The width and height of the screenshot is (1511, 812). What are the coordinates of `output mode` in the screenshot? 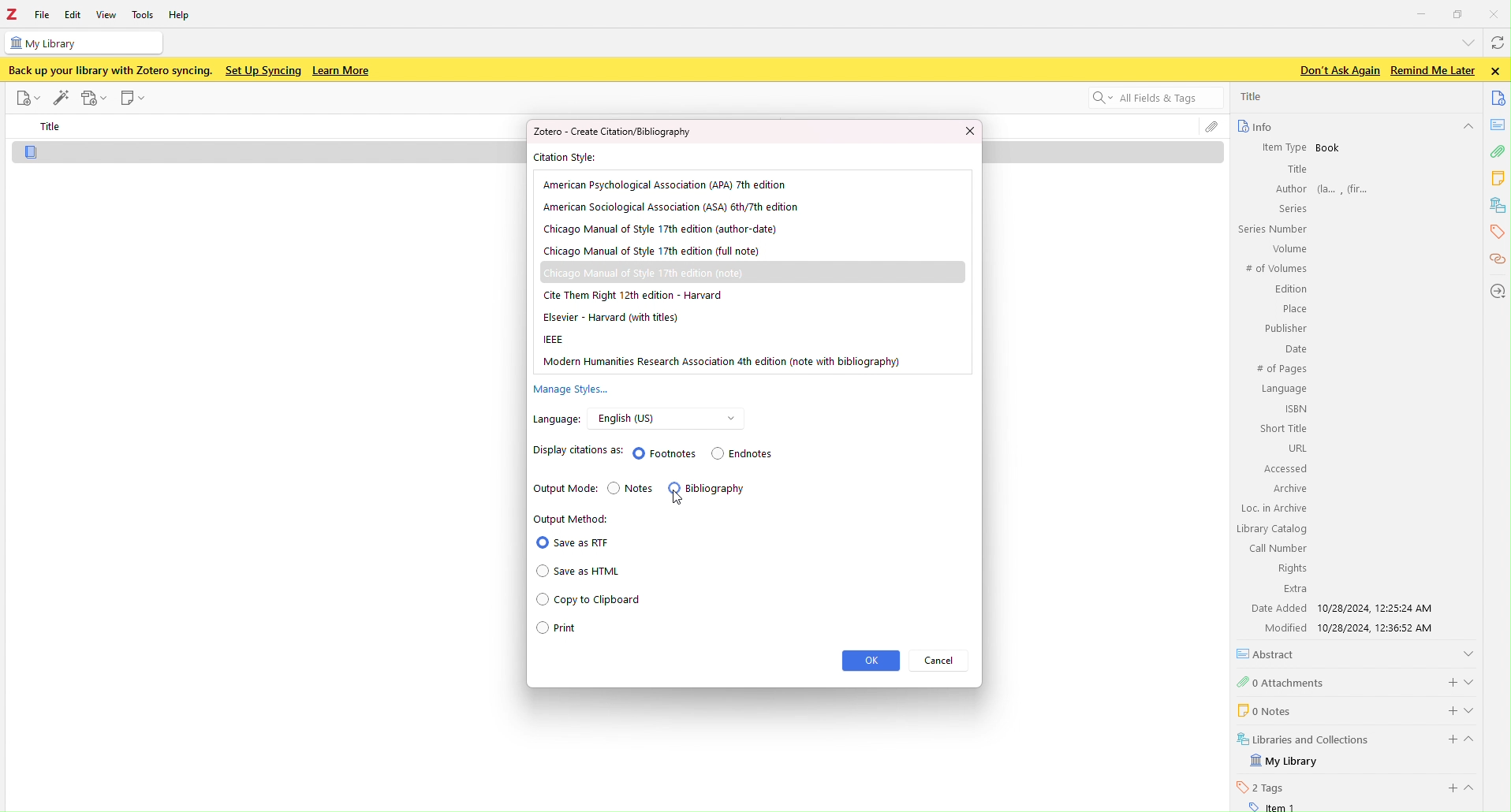 It's located at (665, 490).